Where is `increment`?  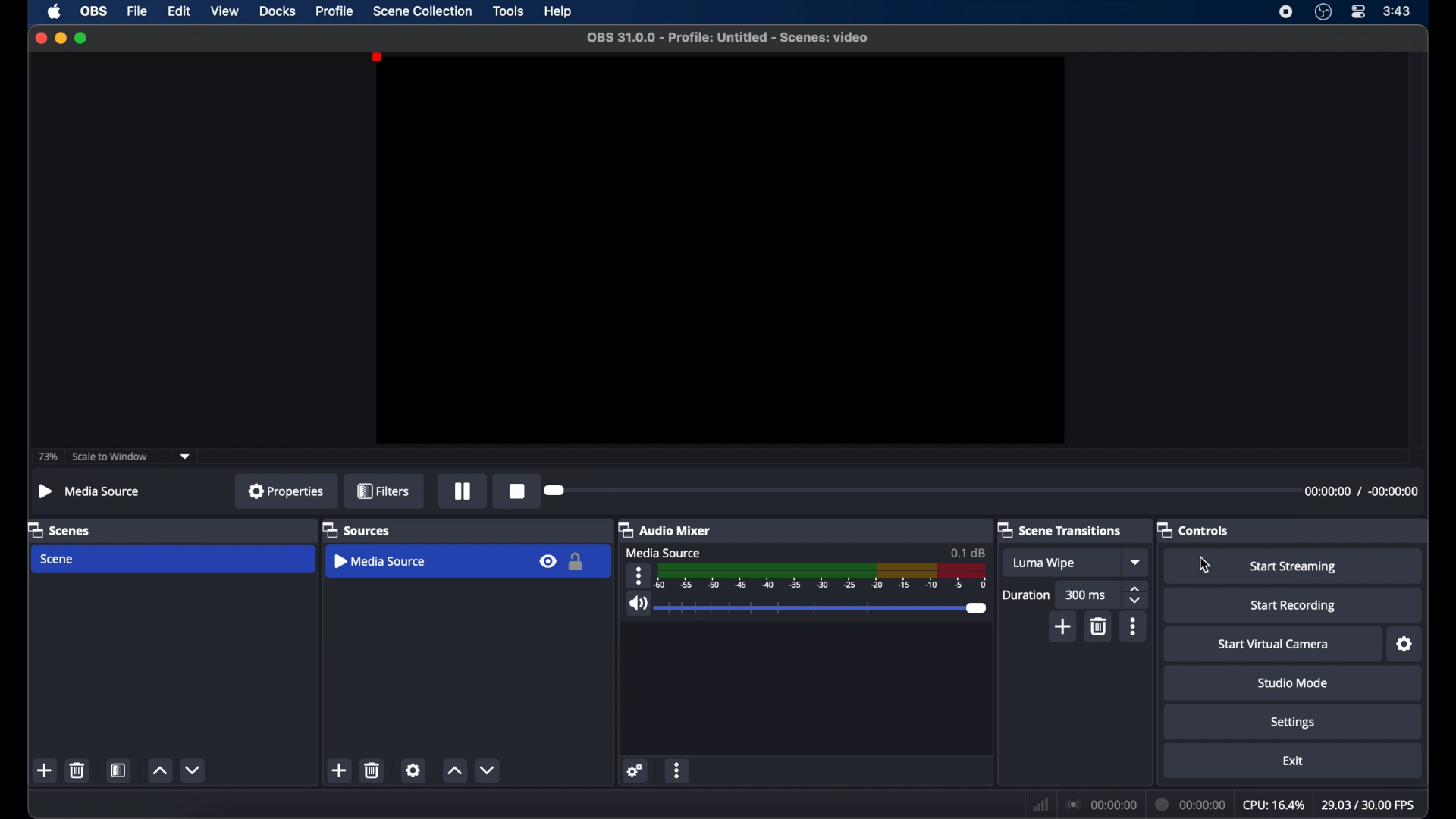
increment is located at coordinates (454, 771).